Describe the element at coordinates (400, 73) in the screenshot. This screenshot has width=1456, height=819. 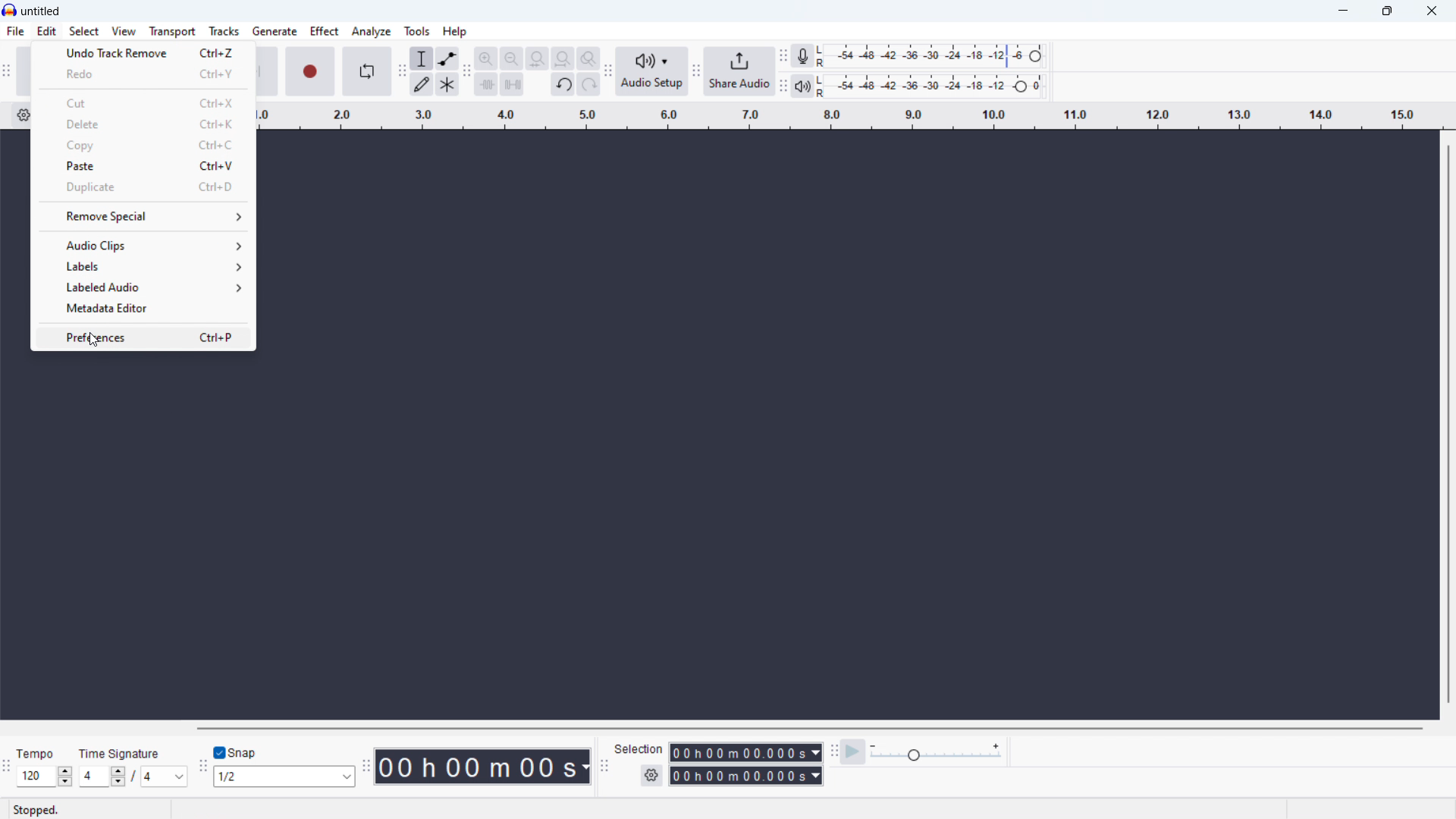
I see `tools toolbar` at that location.